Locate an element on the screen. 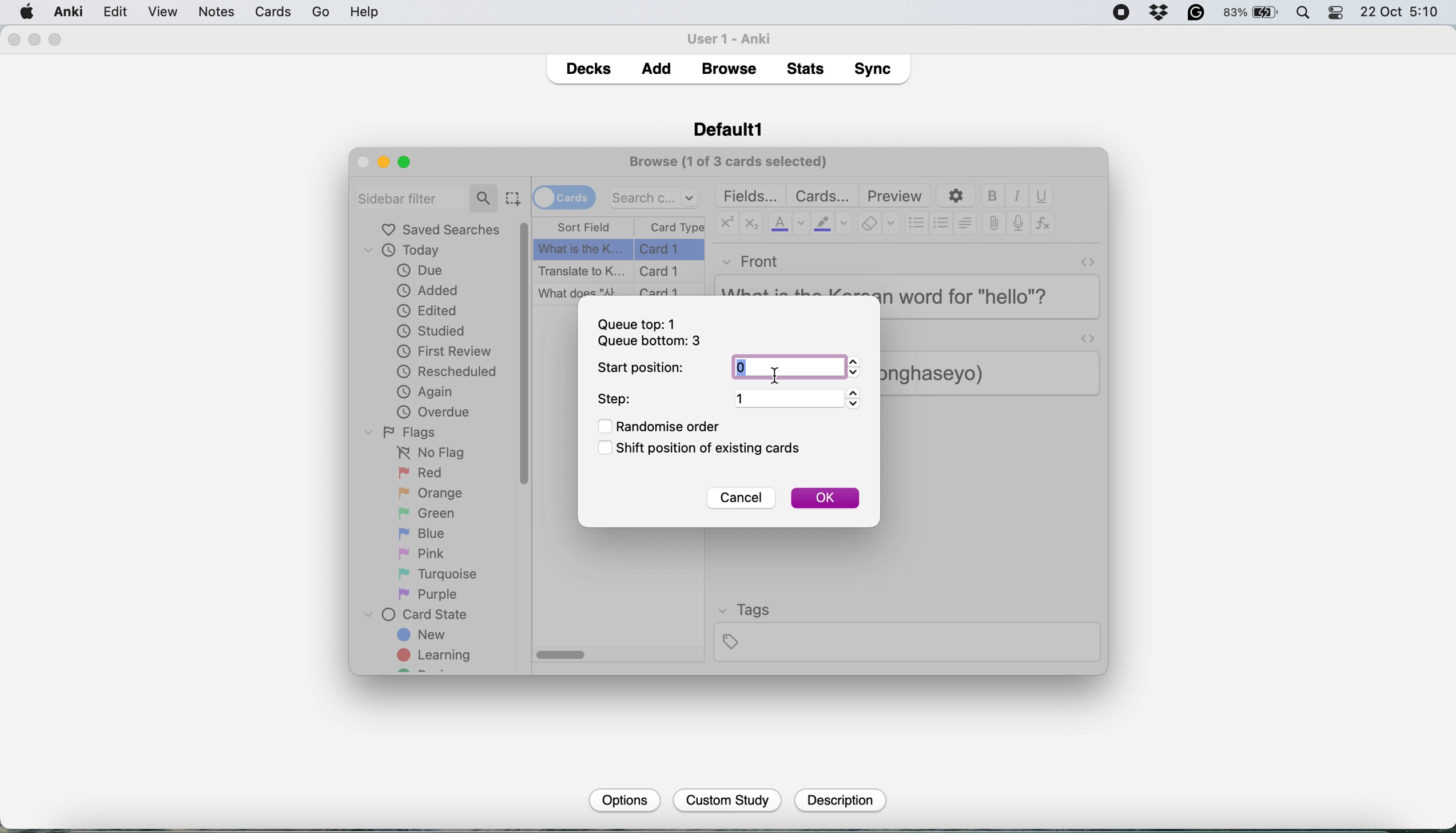 The height and width of the screenshot is (833, 1456). Browse (1 of 3 cards selected) is located at coordinates (732, 160).